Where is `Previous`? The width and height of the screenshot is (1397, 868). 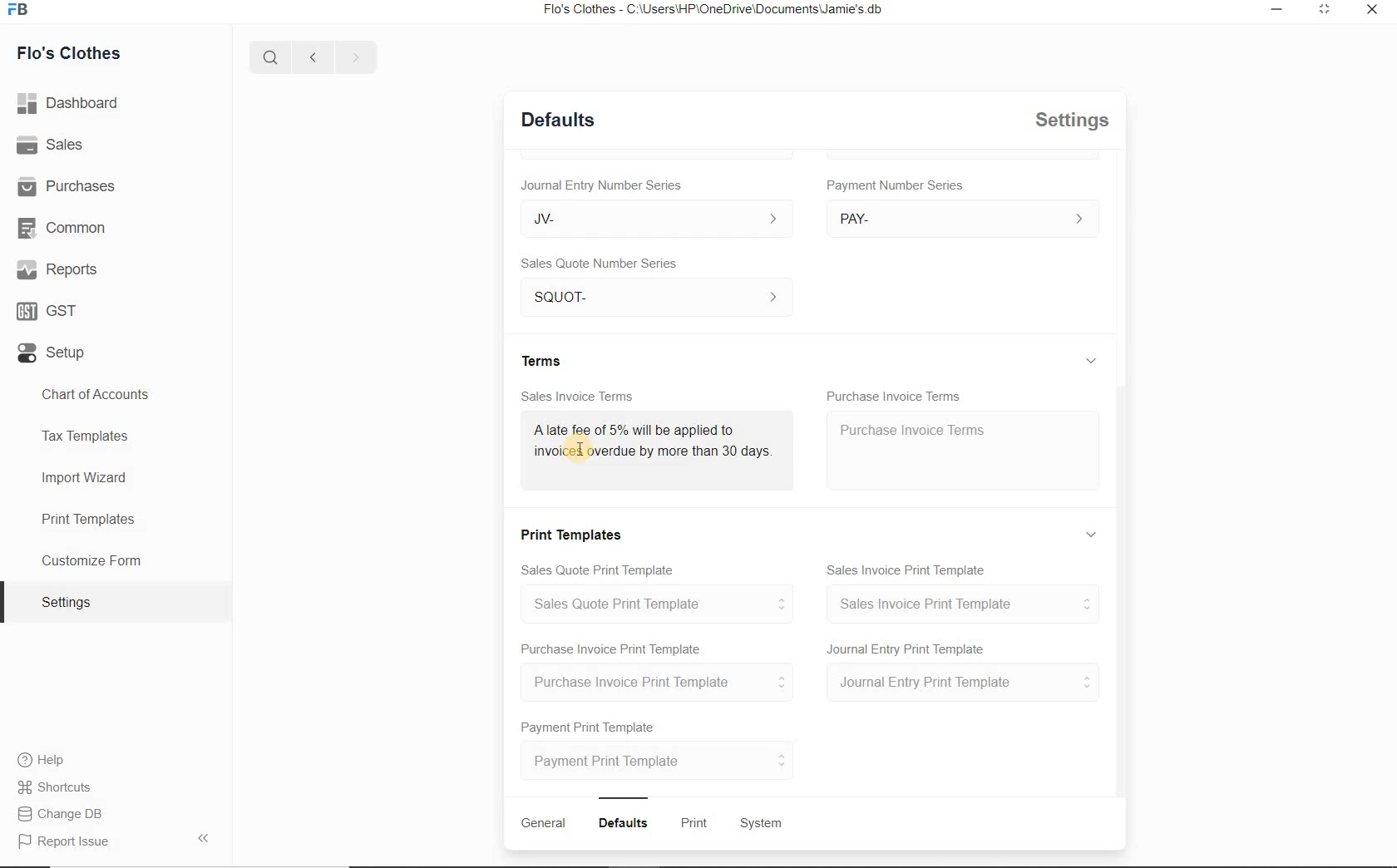
Previous is located at coordinates (310, 56).